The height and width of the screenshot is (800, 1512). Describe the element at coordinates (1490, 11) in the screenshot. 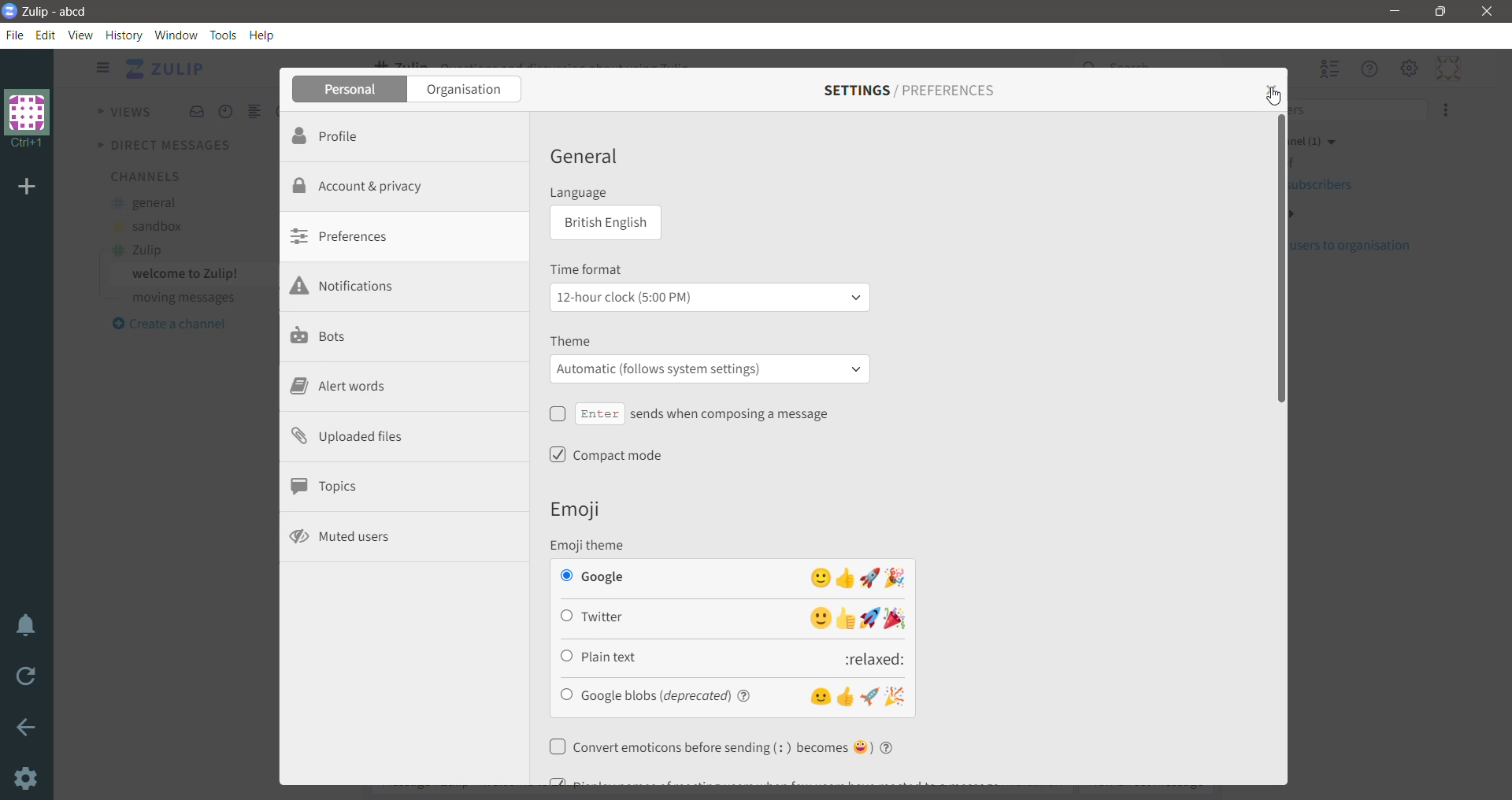

I see `Close` at that location.